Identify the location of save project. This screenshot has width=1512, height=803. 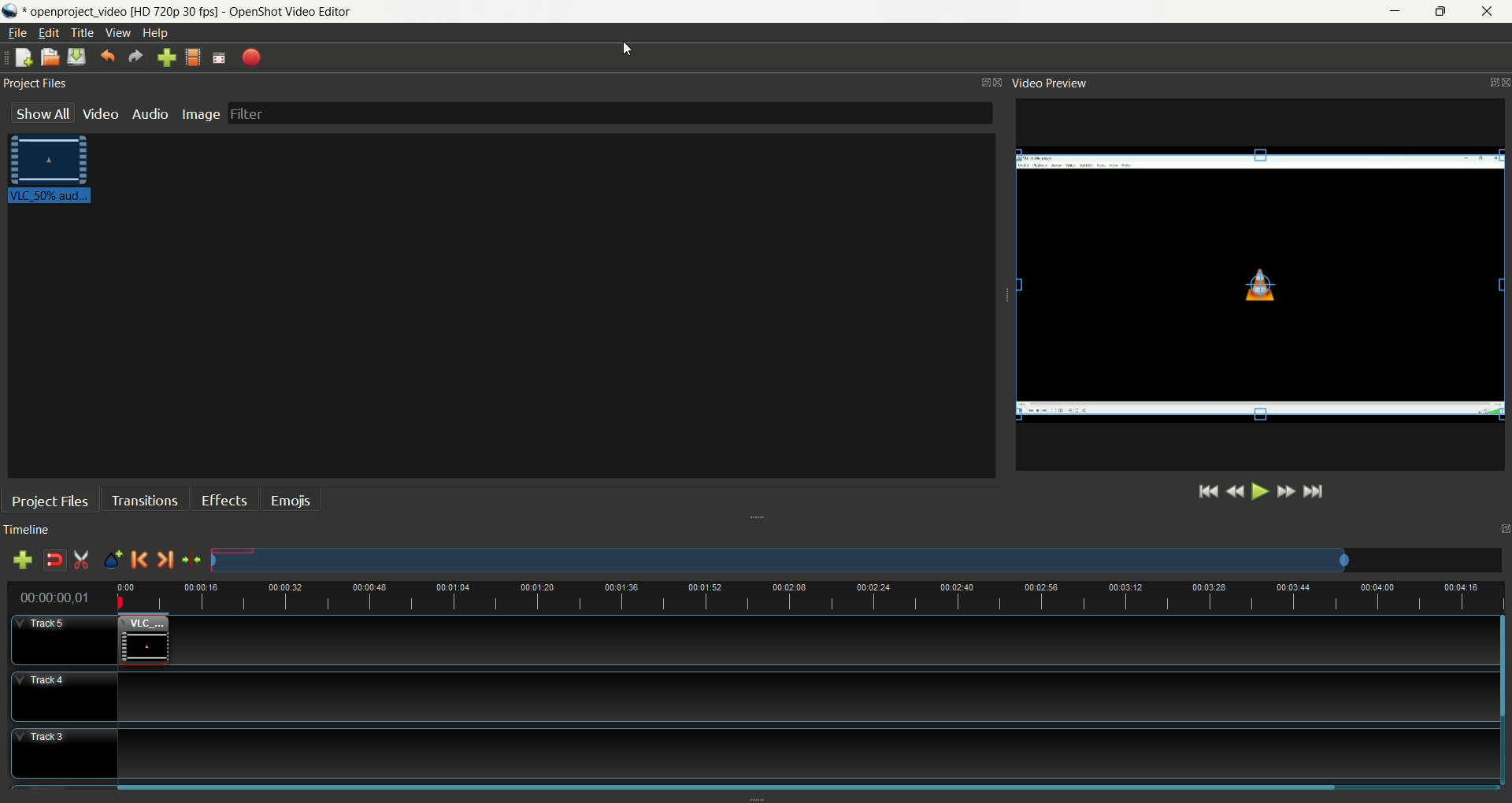
(77, 57).